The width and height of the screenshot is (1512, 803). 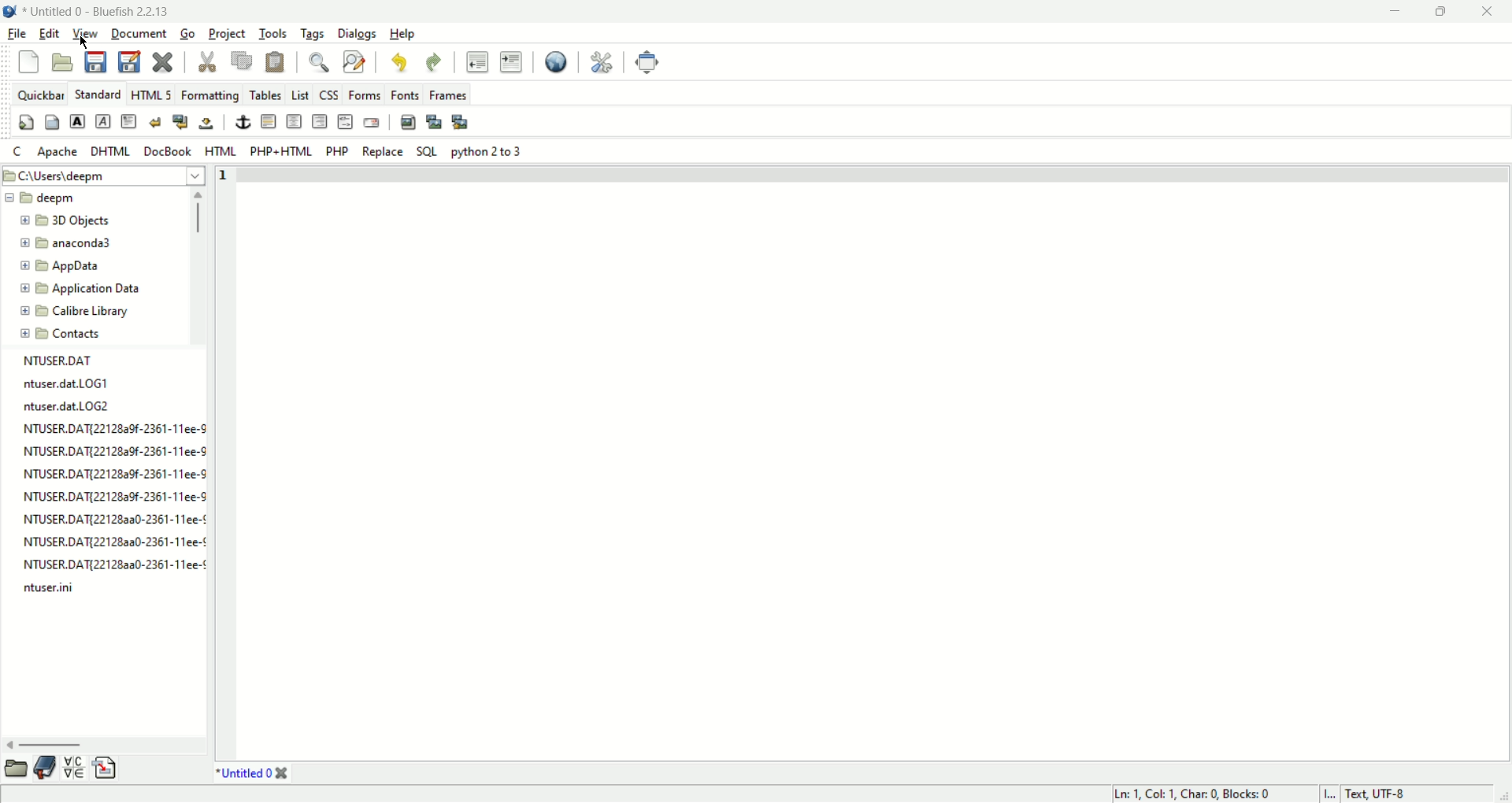 I want to click on cursor, so click(x=84, y=43).